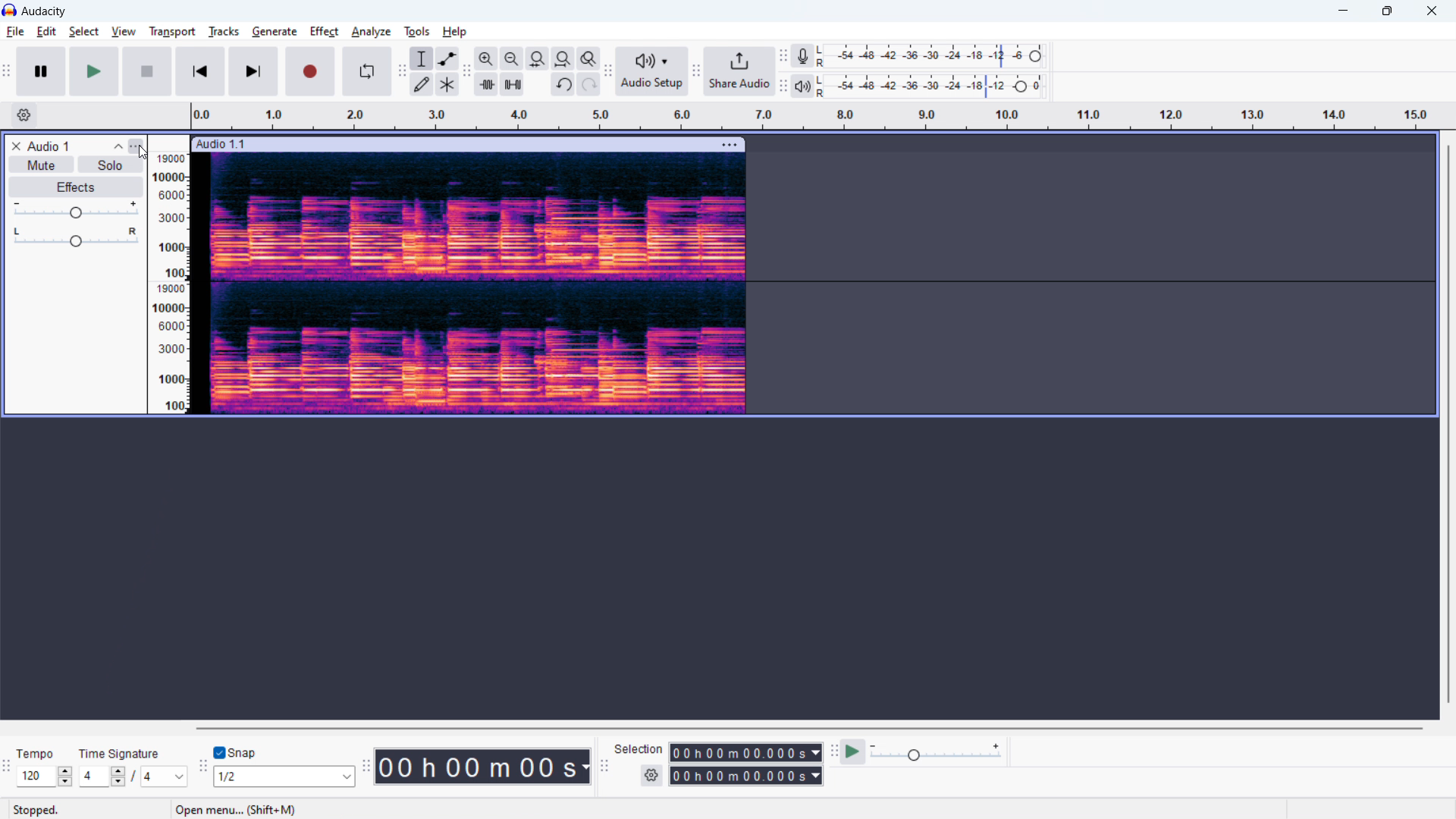 The image size is (1456, 819). Describe the element at coordinates (477, 284) in the screenshot. I see `track spectogram` at that location.